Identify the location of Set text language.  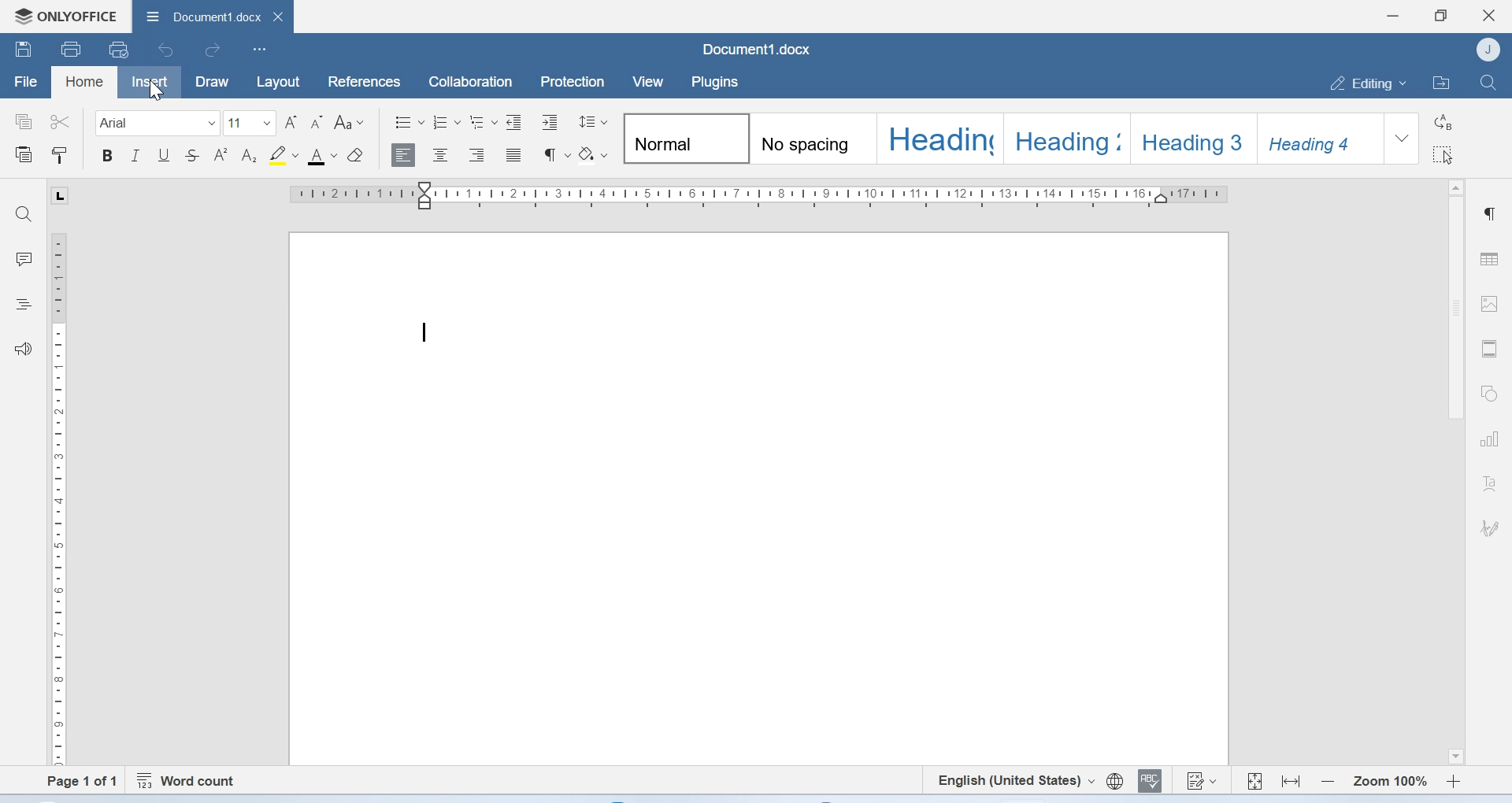
(1016, 780).